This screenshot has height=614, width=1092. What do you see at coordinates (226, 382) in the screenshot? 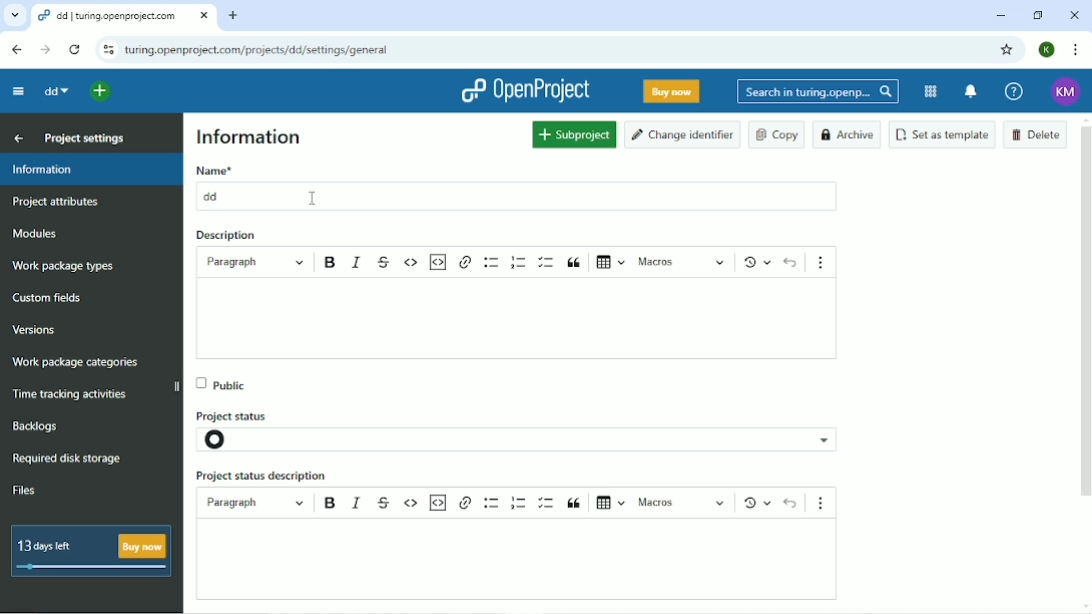
I see `Public` at bounding box center [226, 382].